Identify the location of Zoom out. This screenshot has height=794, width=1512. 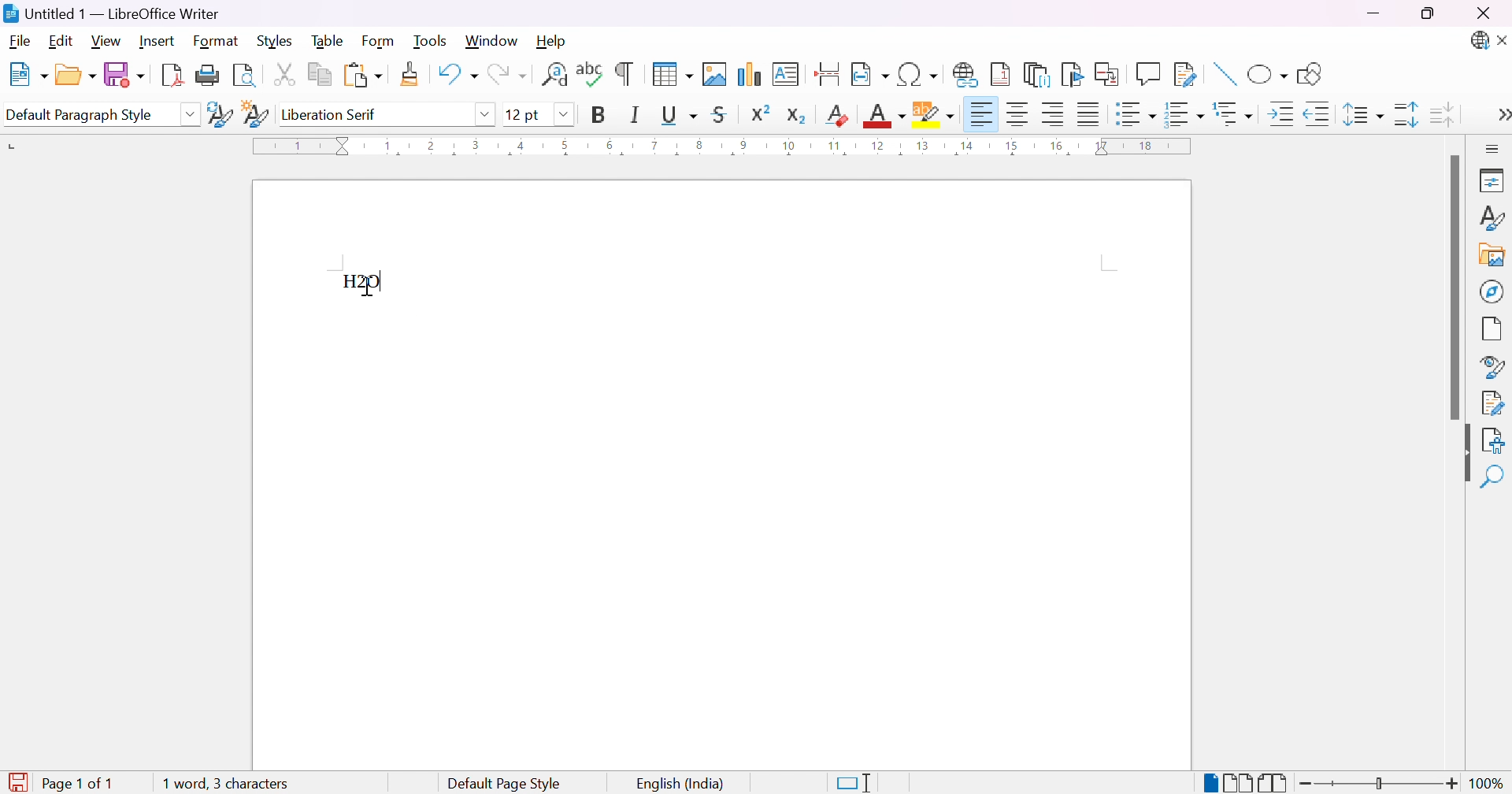
(1306, 784).